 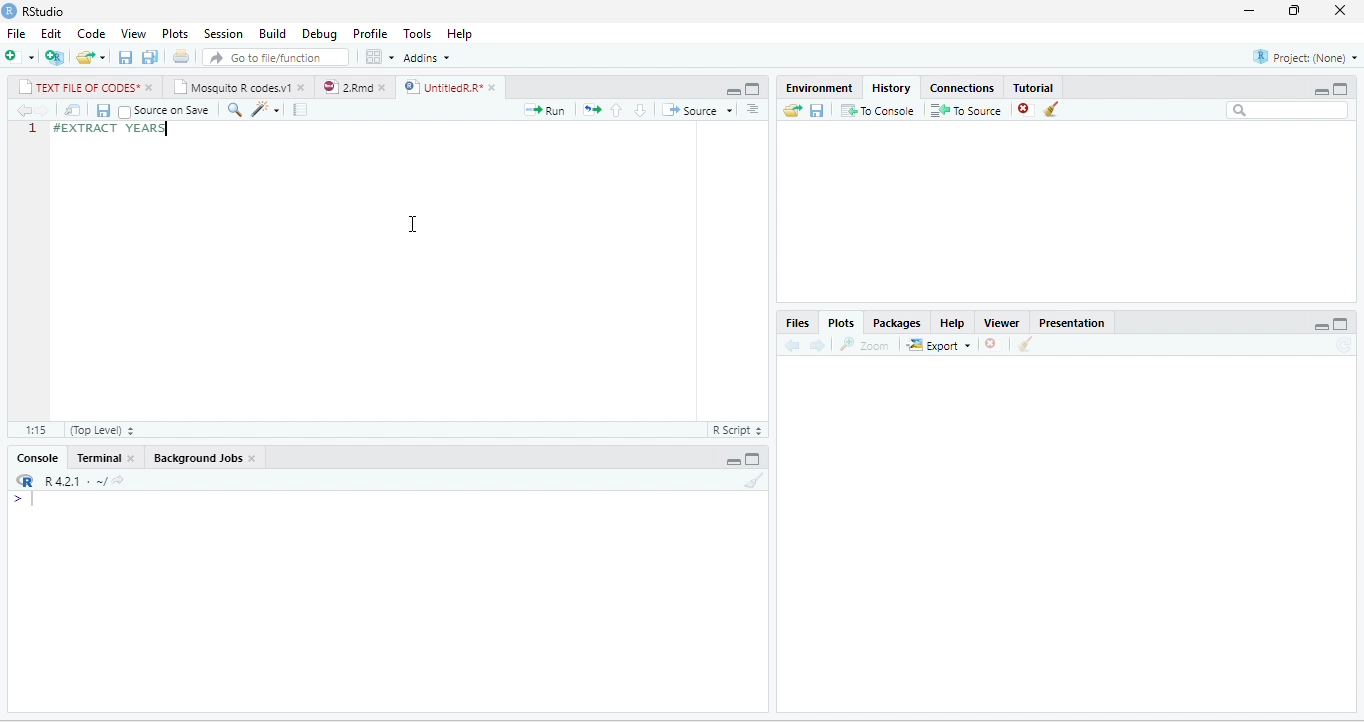 I want to click on R Script, so click(x=736, y=429).